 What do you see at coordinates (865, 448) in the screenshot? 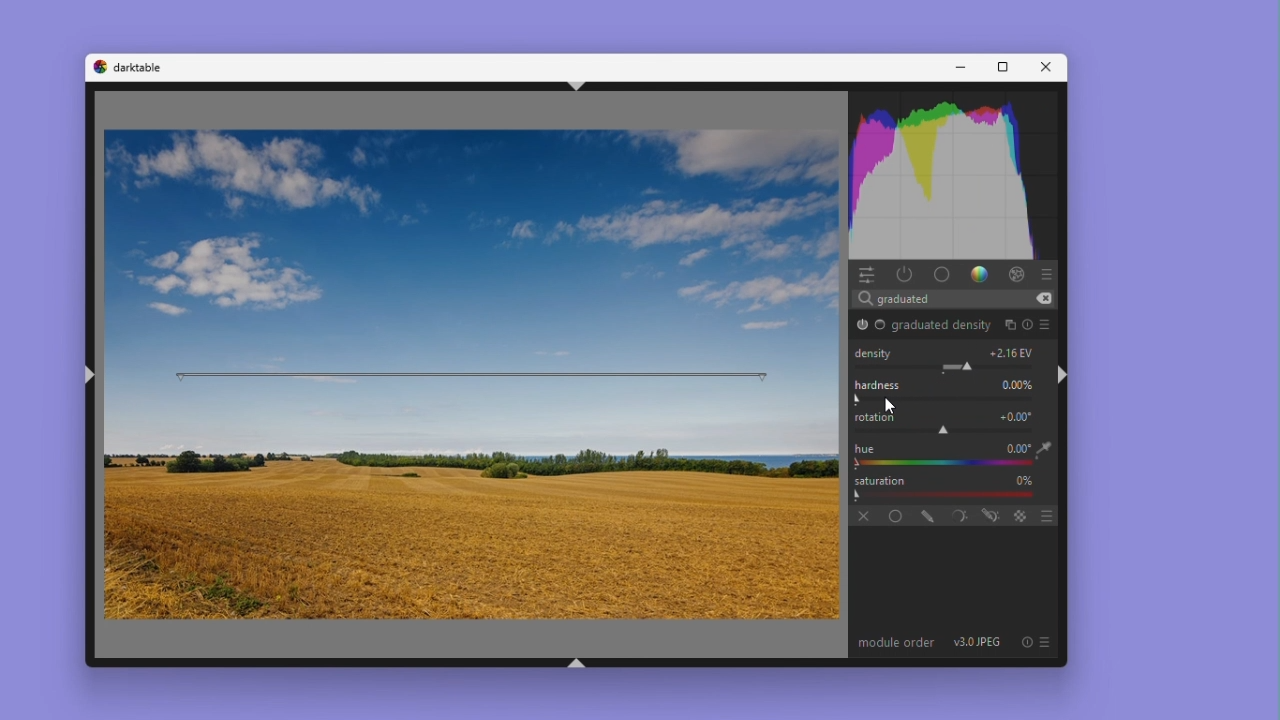
I see `hue` at bounding box center [865, 448].